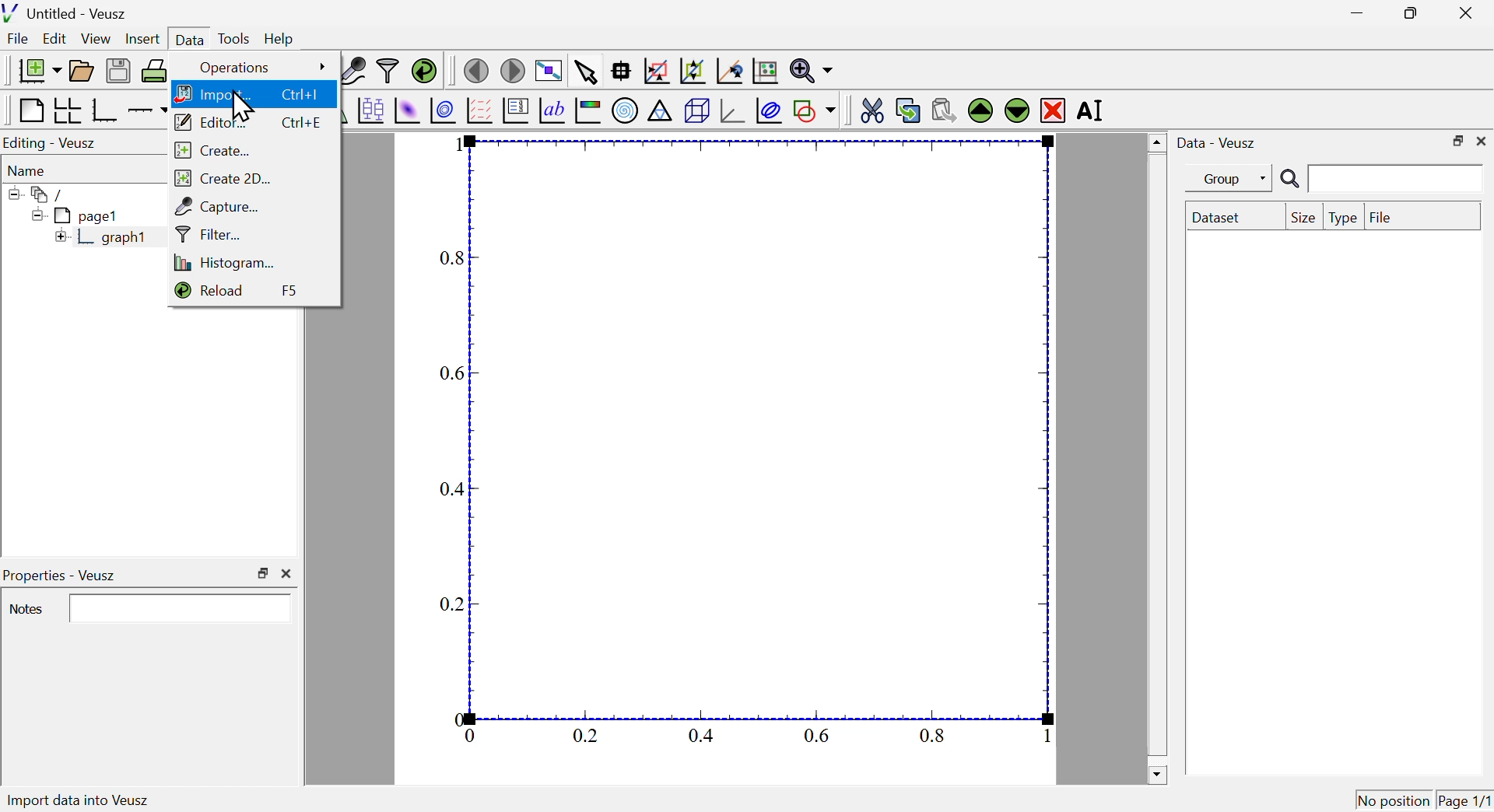  I want to click on tools, so click(235, 37).